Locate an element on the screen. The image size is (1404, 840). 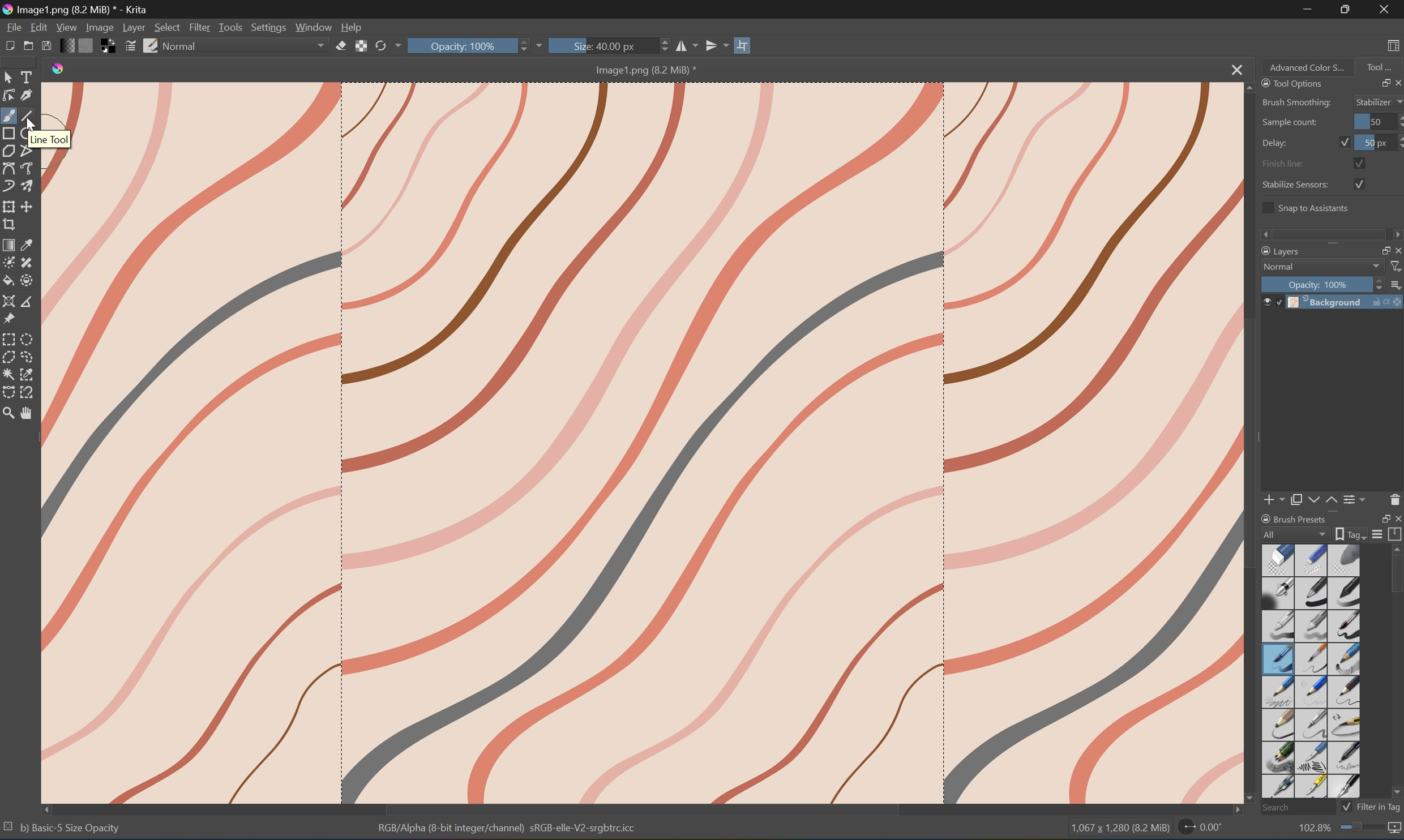
Select is located at coordinates (167, 27).